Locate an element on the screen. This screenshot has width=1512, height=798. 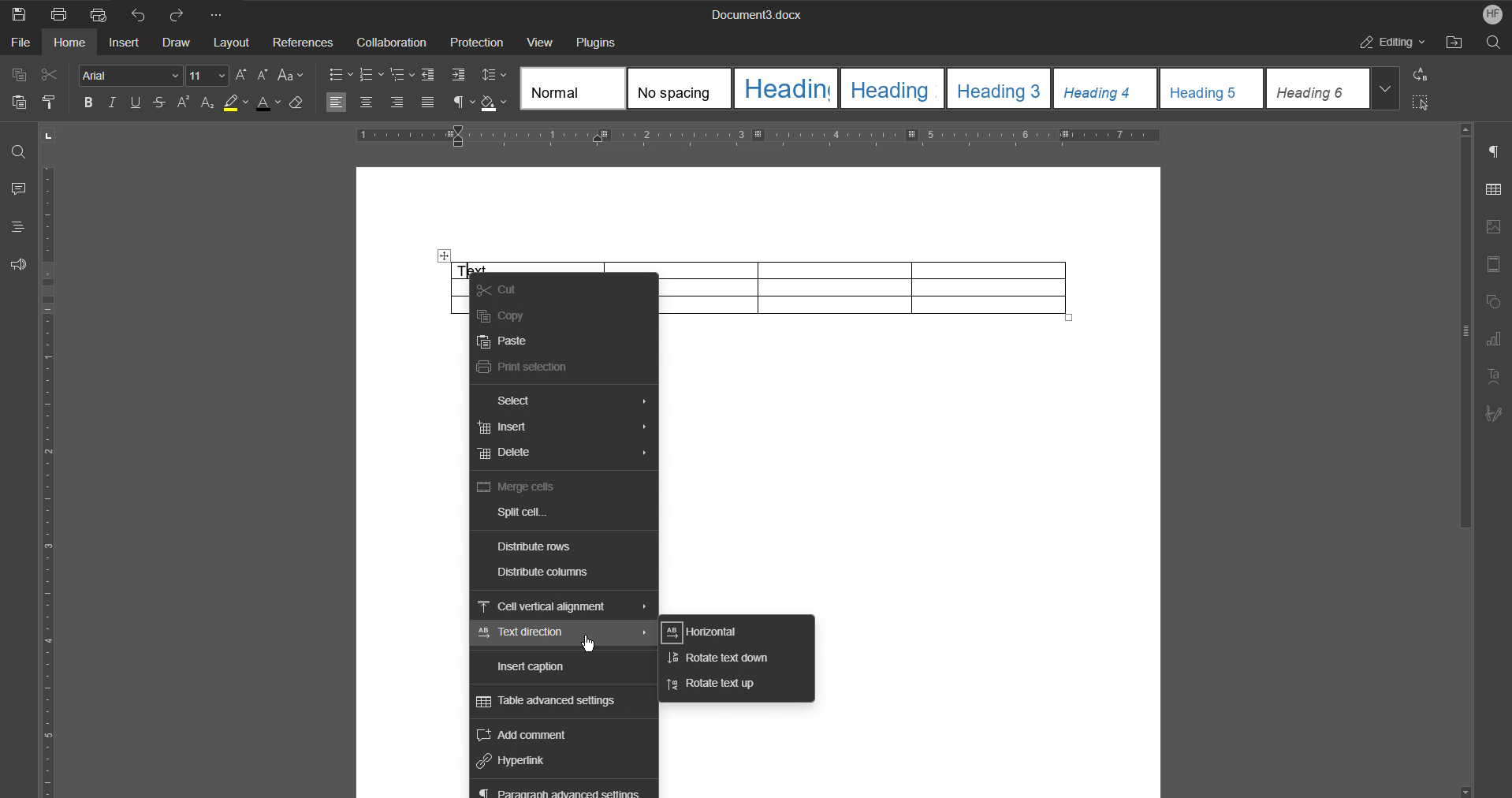
Decrease Indent is located at coordinates (430, 75).